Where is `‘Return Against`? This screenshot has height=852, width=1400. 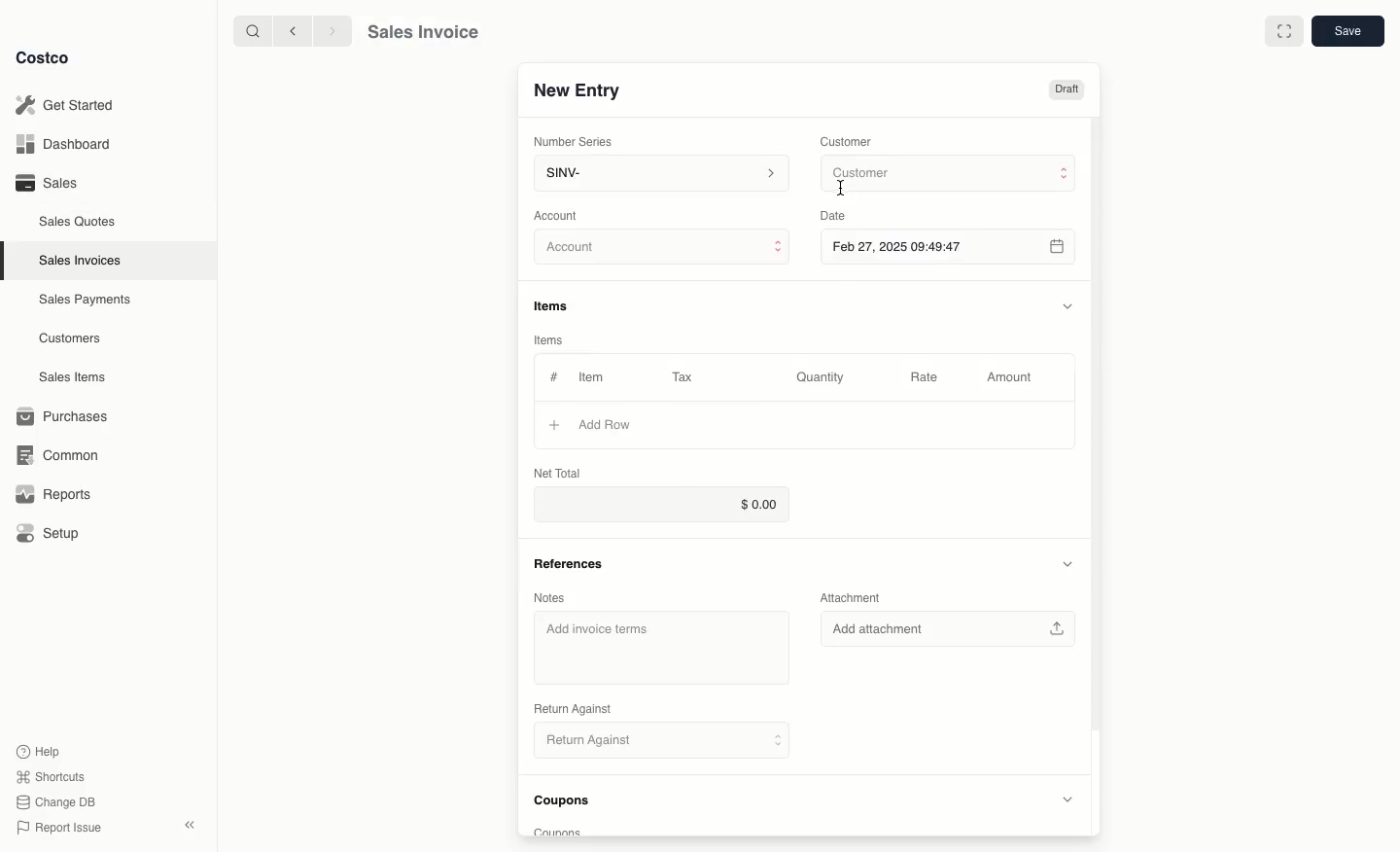 ‘Return Against is located at coordinates (571, 709).